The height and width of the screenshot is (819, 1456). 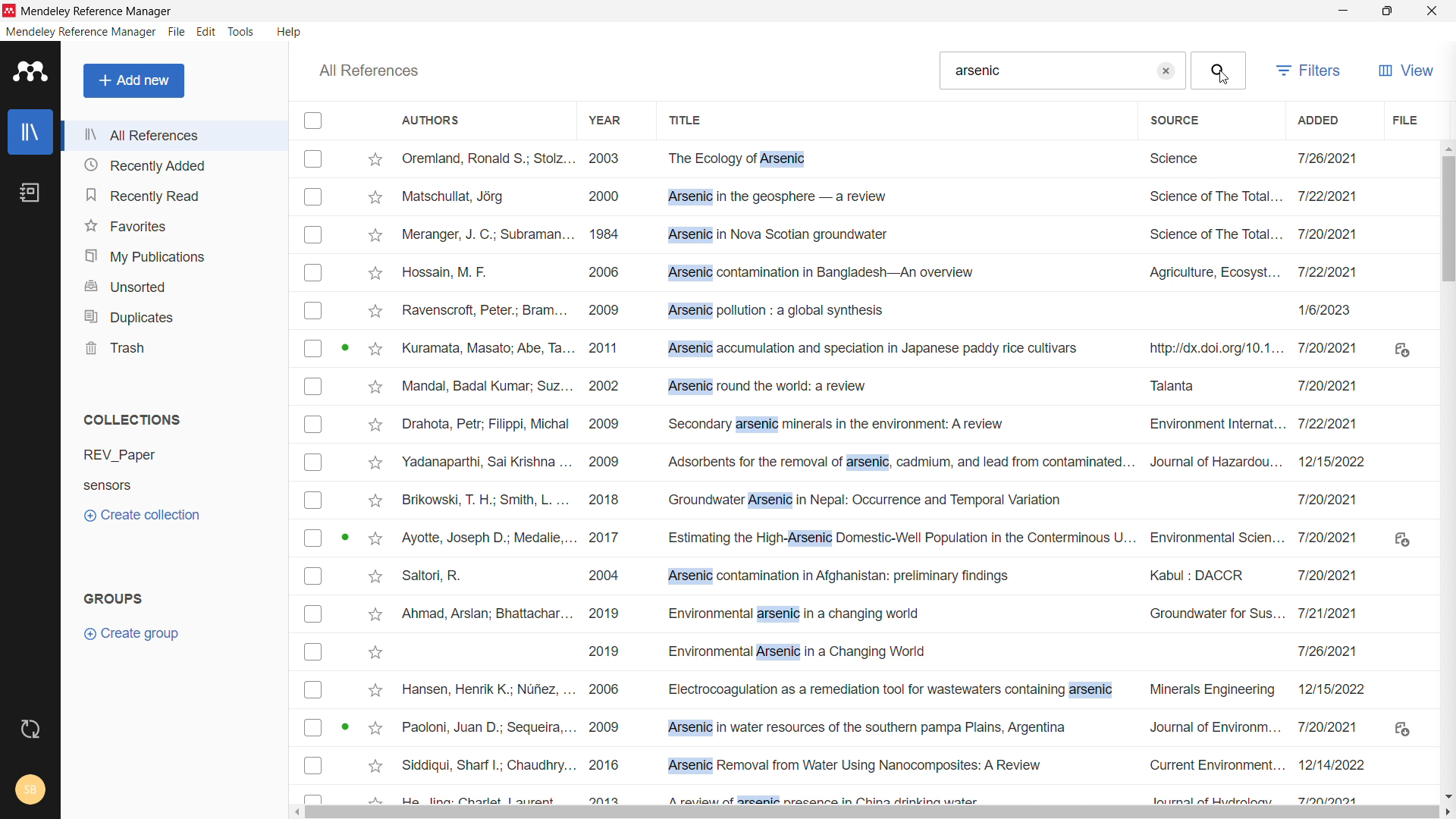 I want to click on ‘Yadanaparthi, Sai Krishna ... 2009 Adsorbents for the removal of arsenic, cadmium, and lead from contaminated. Journal of Hazardou... 12/15/2022, so click(x=880, y=461).